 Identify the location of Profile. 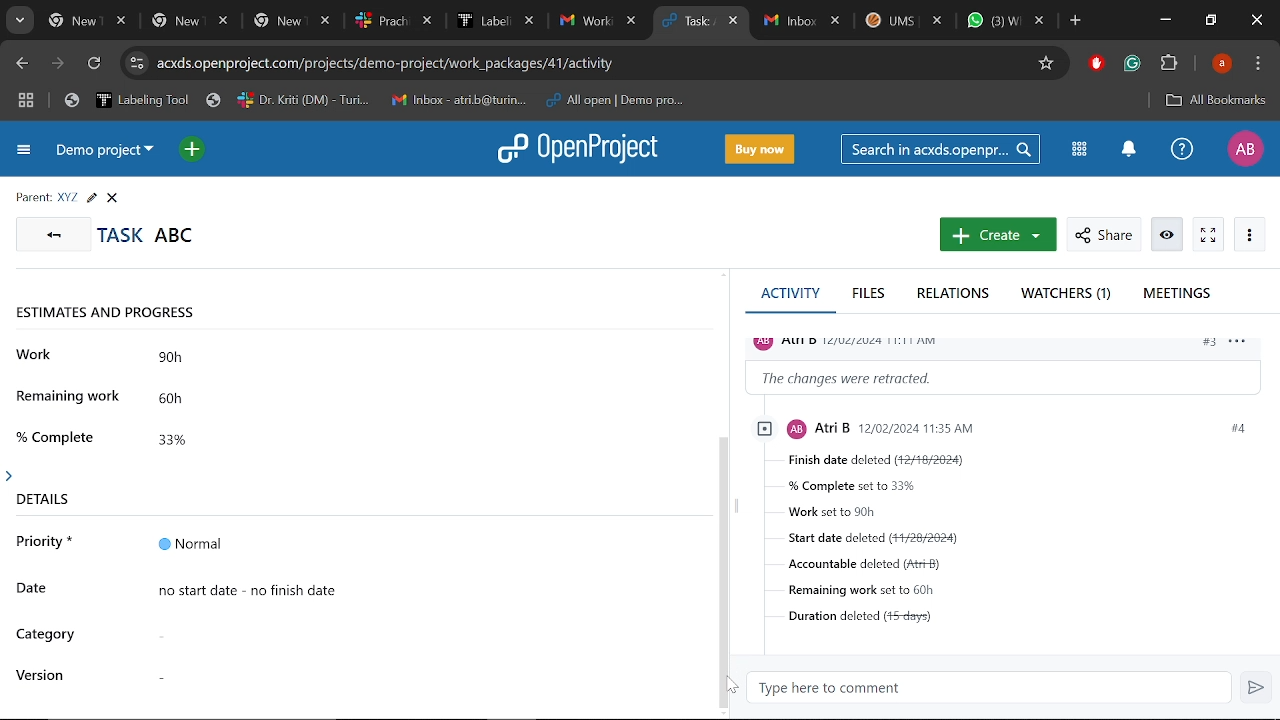
(1243, 149).